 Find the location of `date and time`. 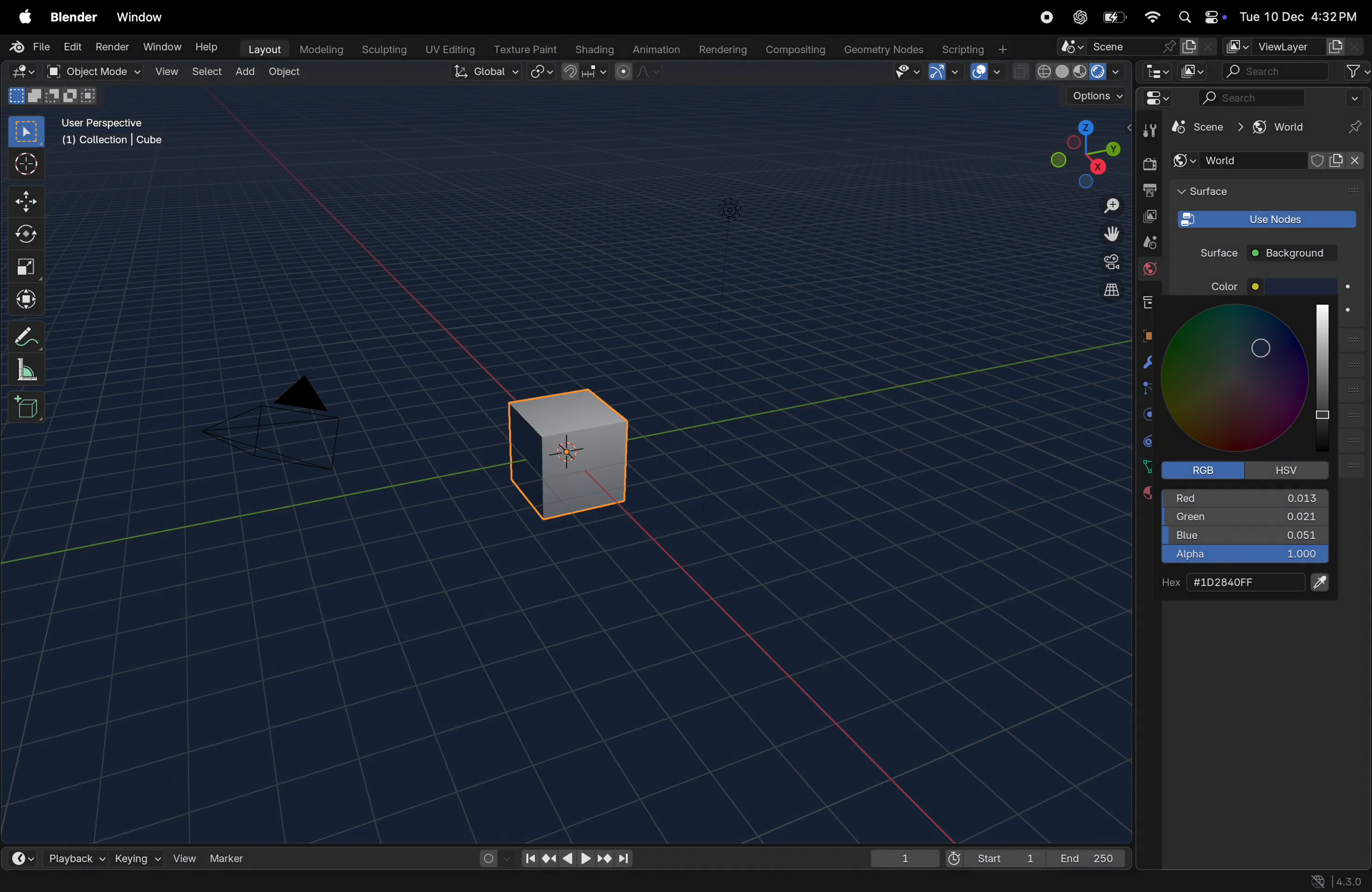

date and time is located at coordinates (1298, 13).